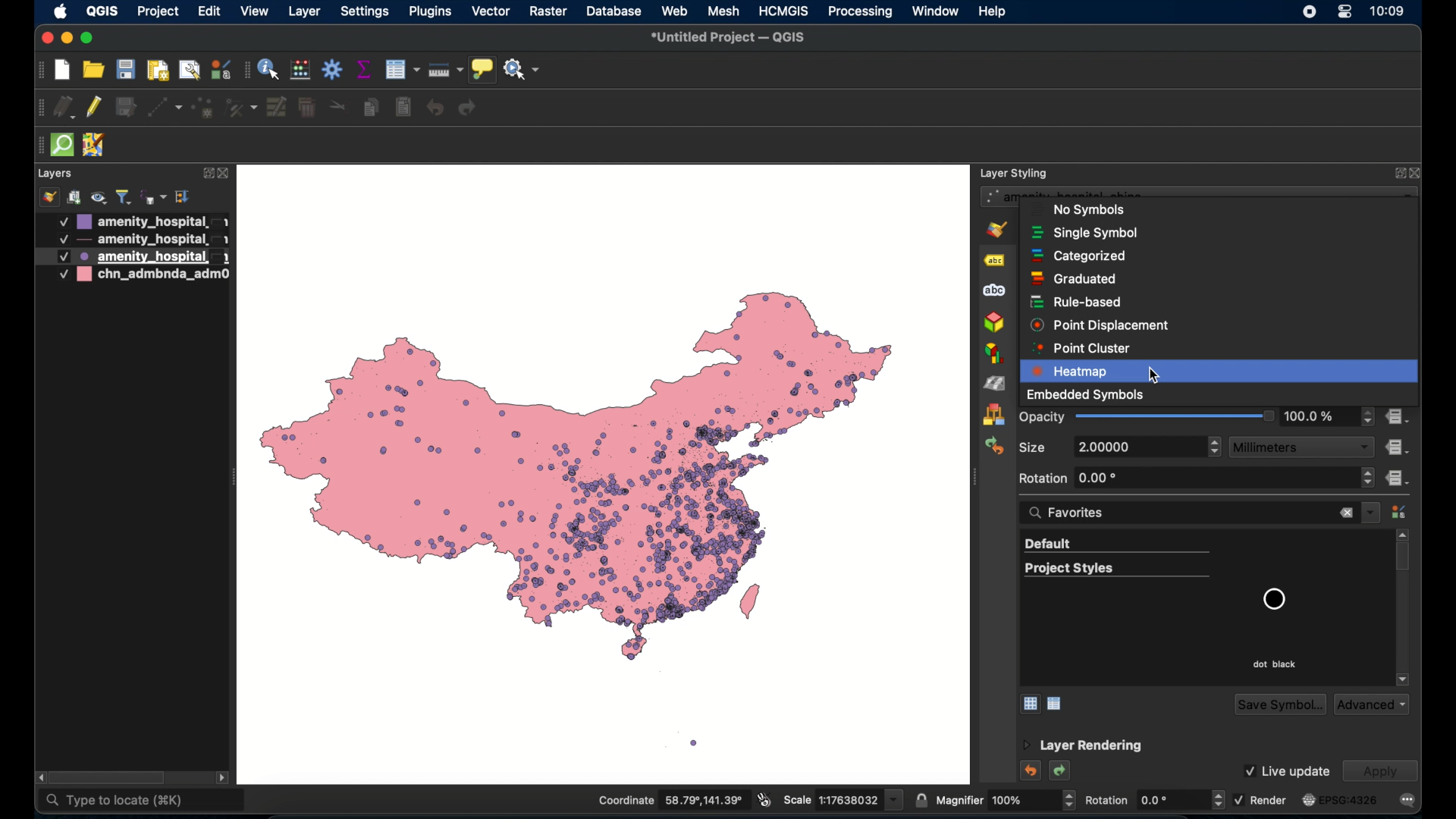 The image size is (1456, 819). Describe the element at coordinates (300, 69) in the screenshot. I see `open field calculator` at that location.